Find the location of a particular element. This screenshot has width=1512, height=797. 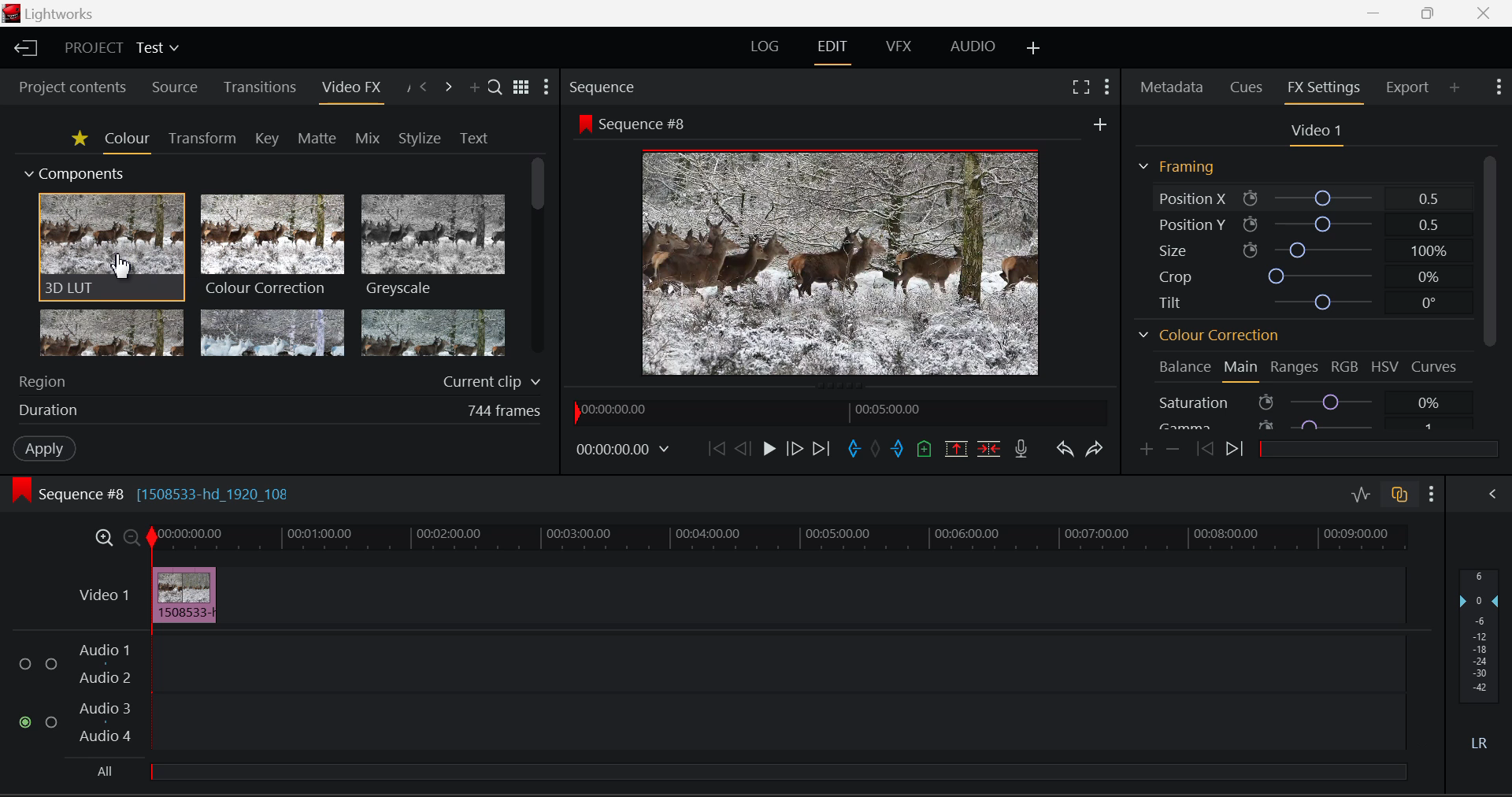

Previous keyframe is located at coordinates (1205, 450).